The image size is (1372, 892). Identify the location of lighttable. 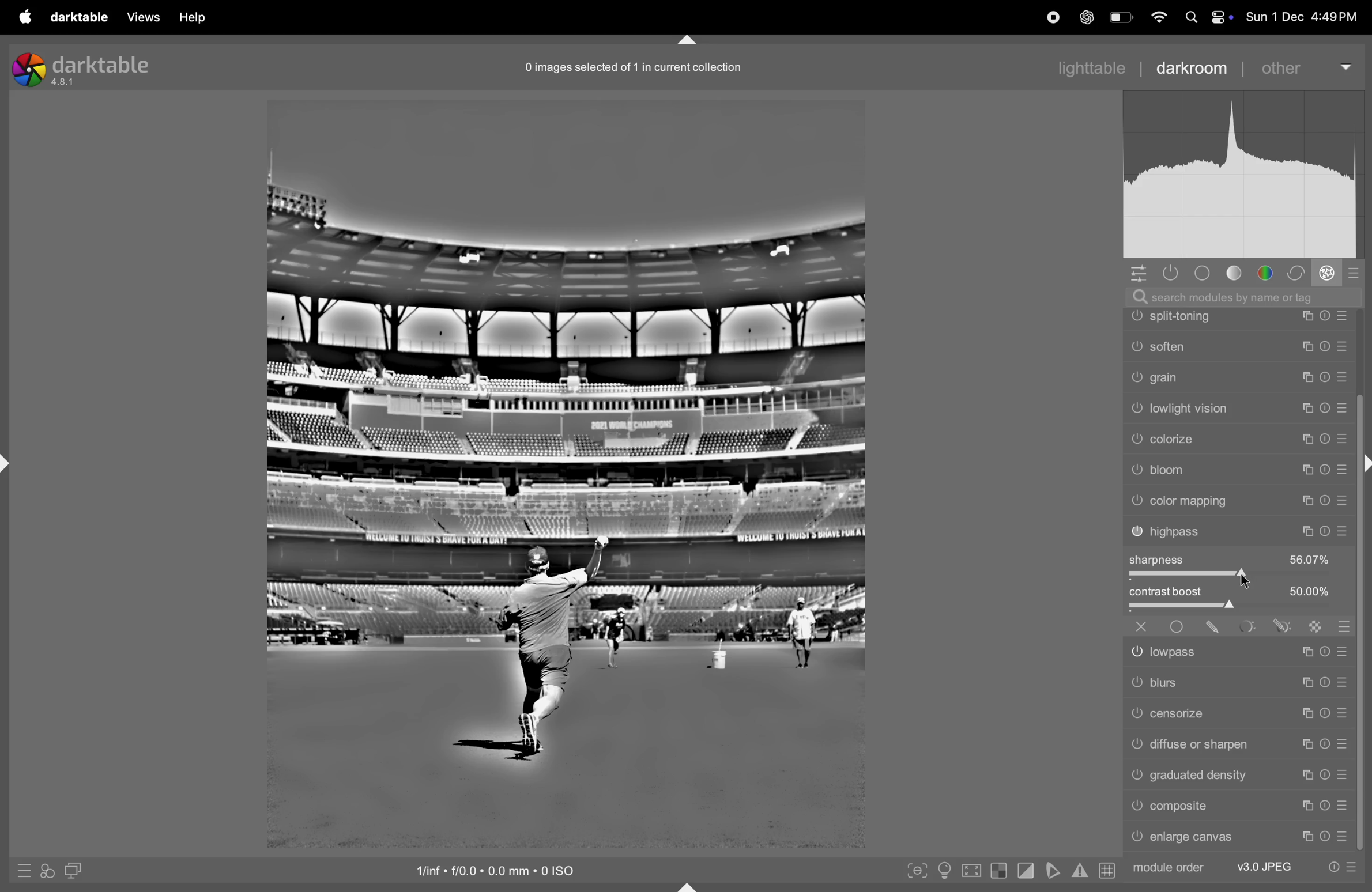
(1091, 66).